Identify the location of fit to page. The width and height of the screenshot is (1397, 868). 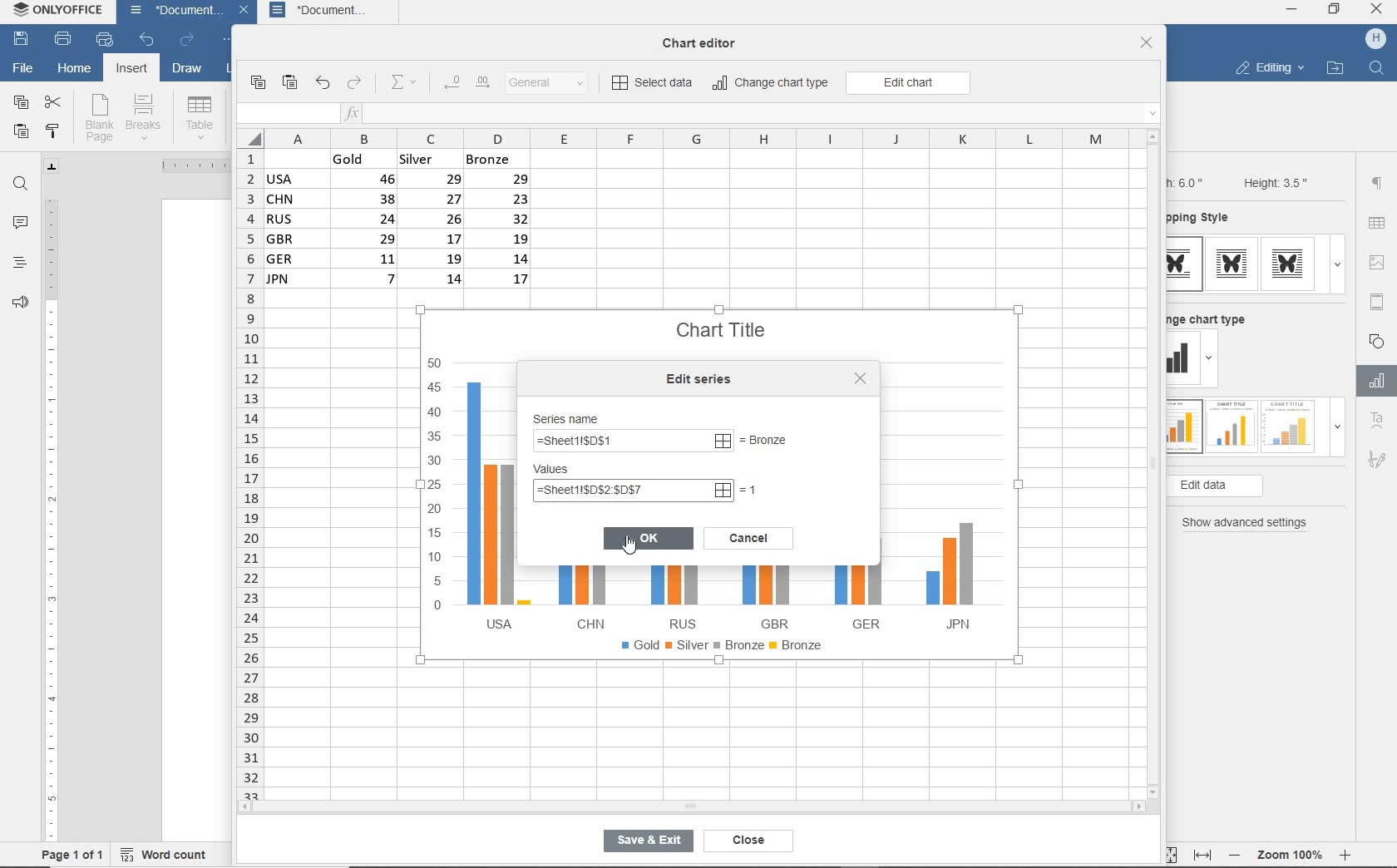
(1167, 854).